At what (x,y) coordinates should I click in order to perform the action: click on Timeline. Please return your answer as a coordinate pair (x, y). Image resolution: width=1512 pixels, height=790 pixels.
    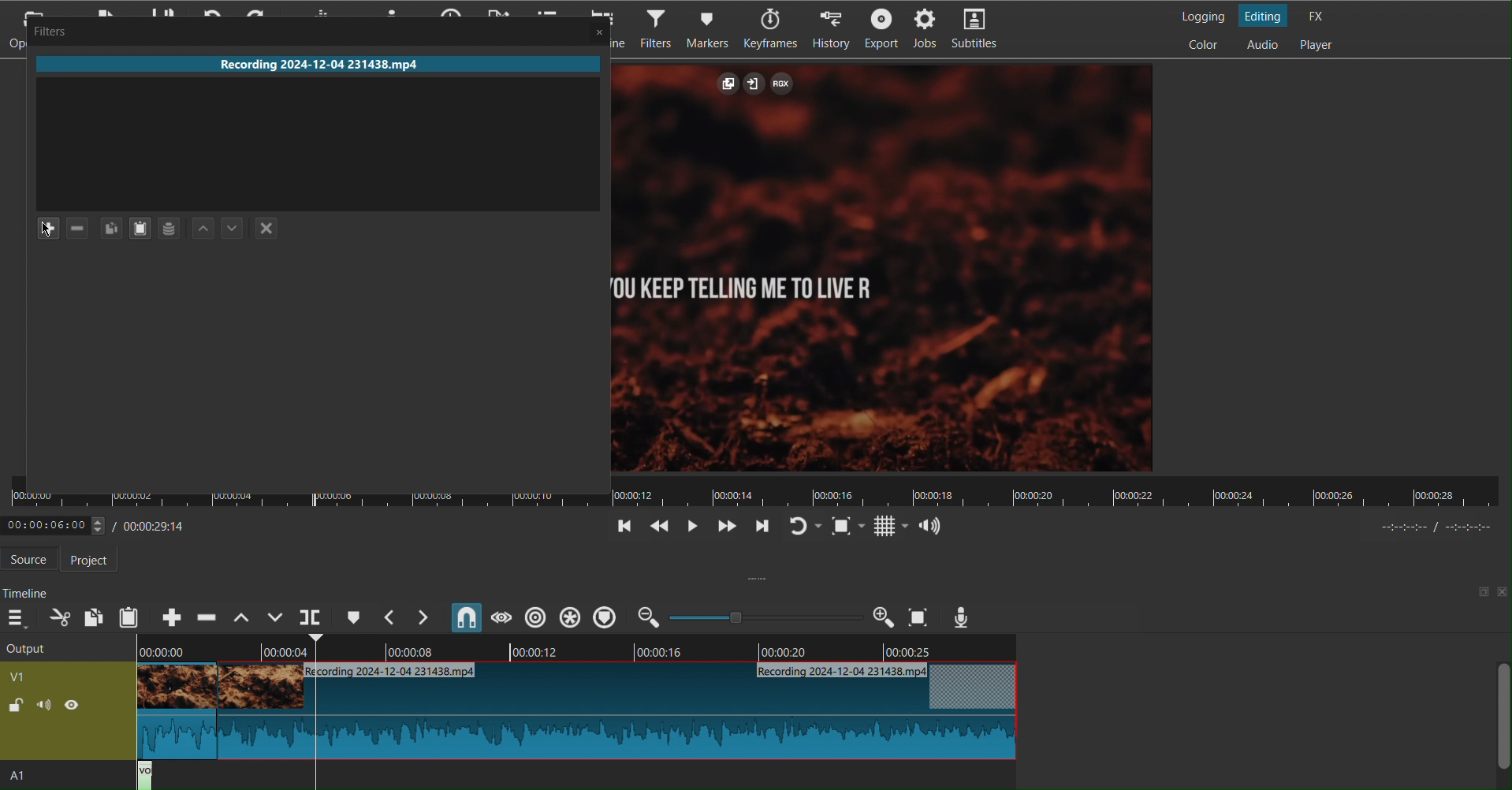
    Looking at the image, I should click on (758, 491).